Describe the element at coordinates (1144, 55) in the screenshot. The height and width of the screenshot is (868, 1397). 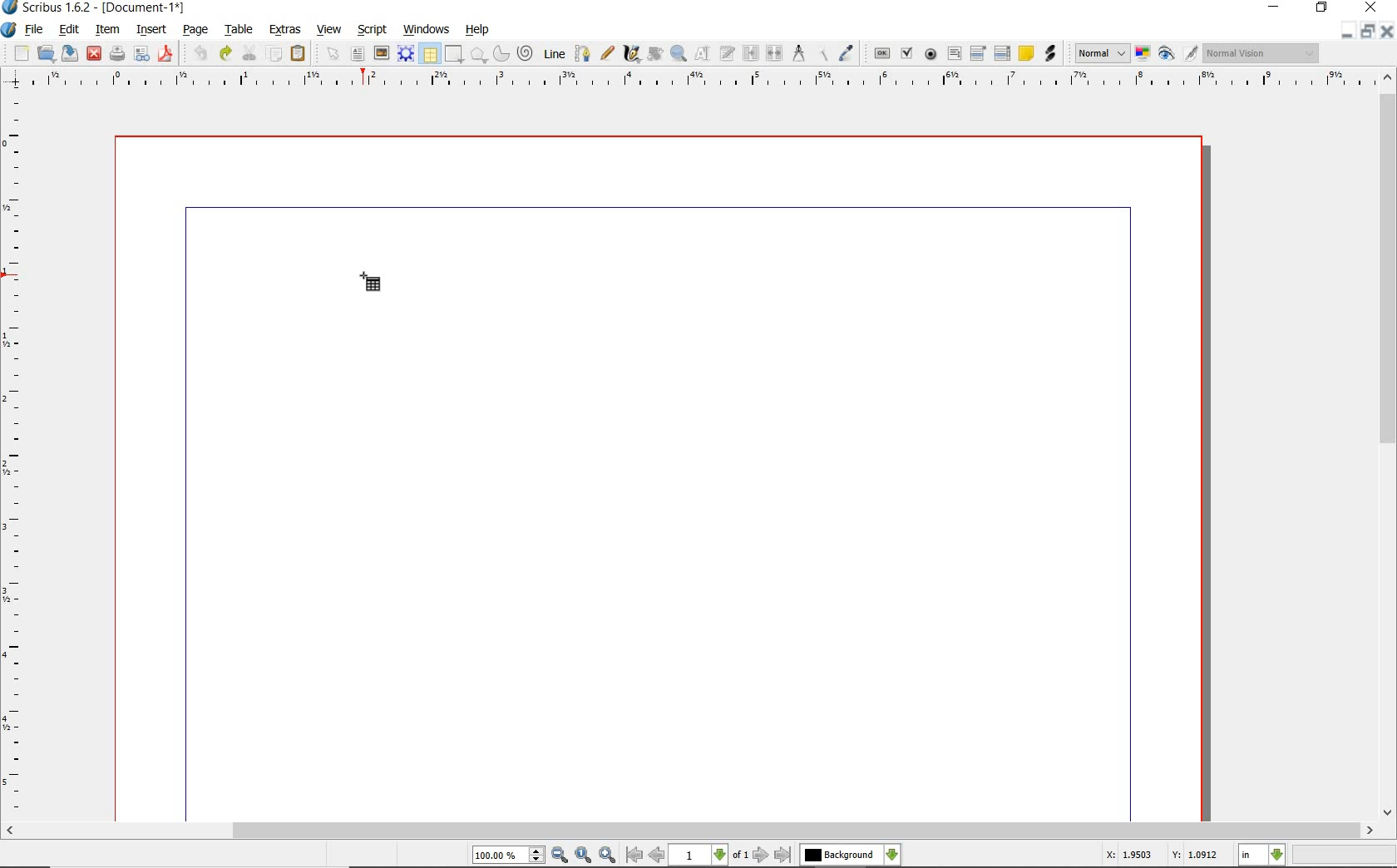
I see `toggle color management system` at that location.